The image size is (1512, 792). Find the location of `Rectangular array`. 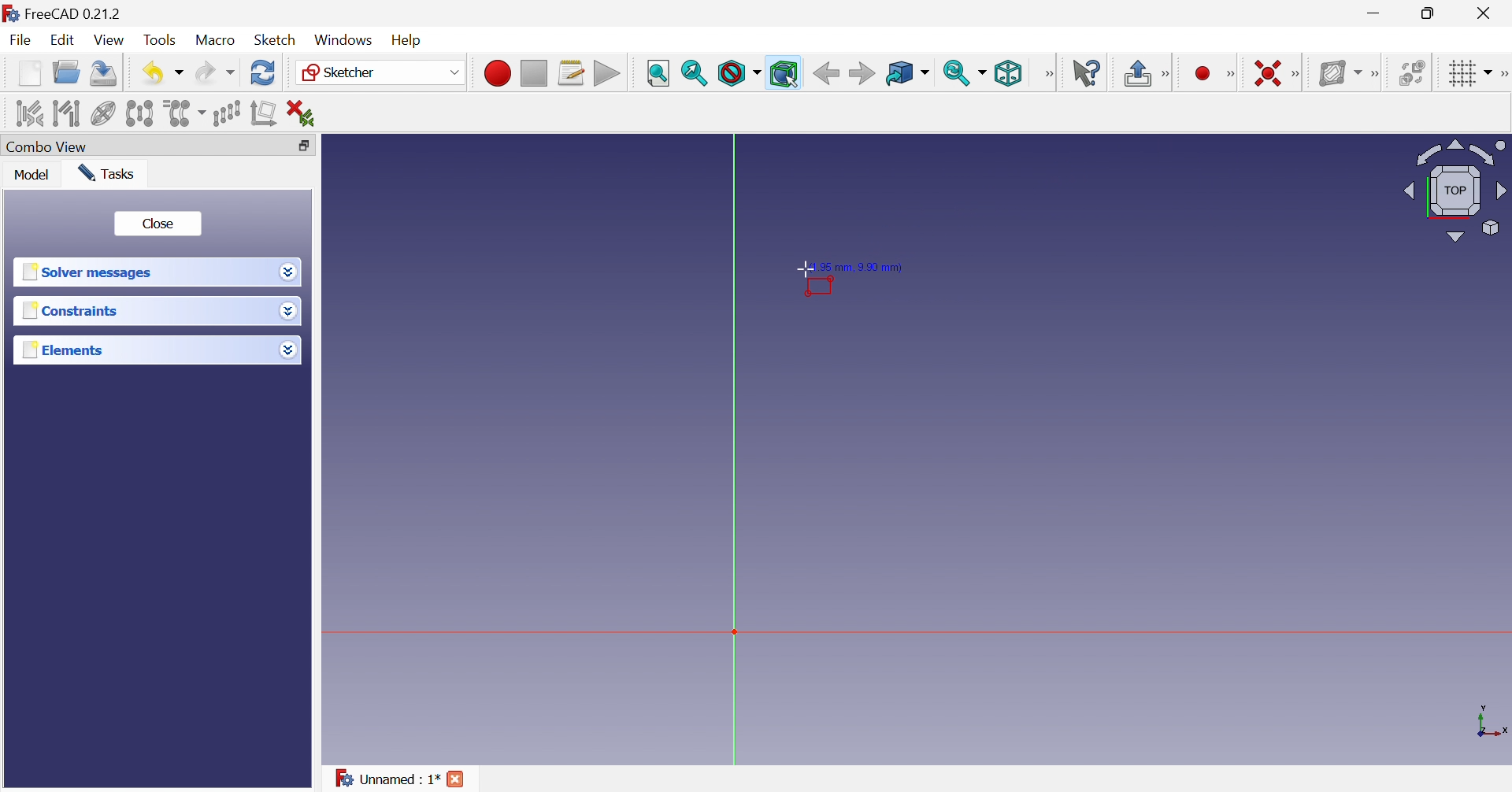

Rectangular array is located at coordinates (228, 114).